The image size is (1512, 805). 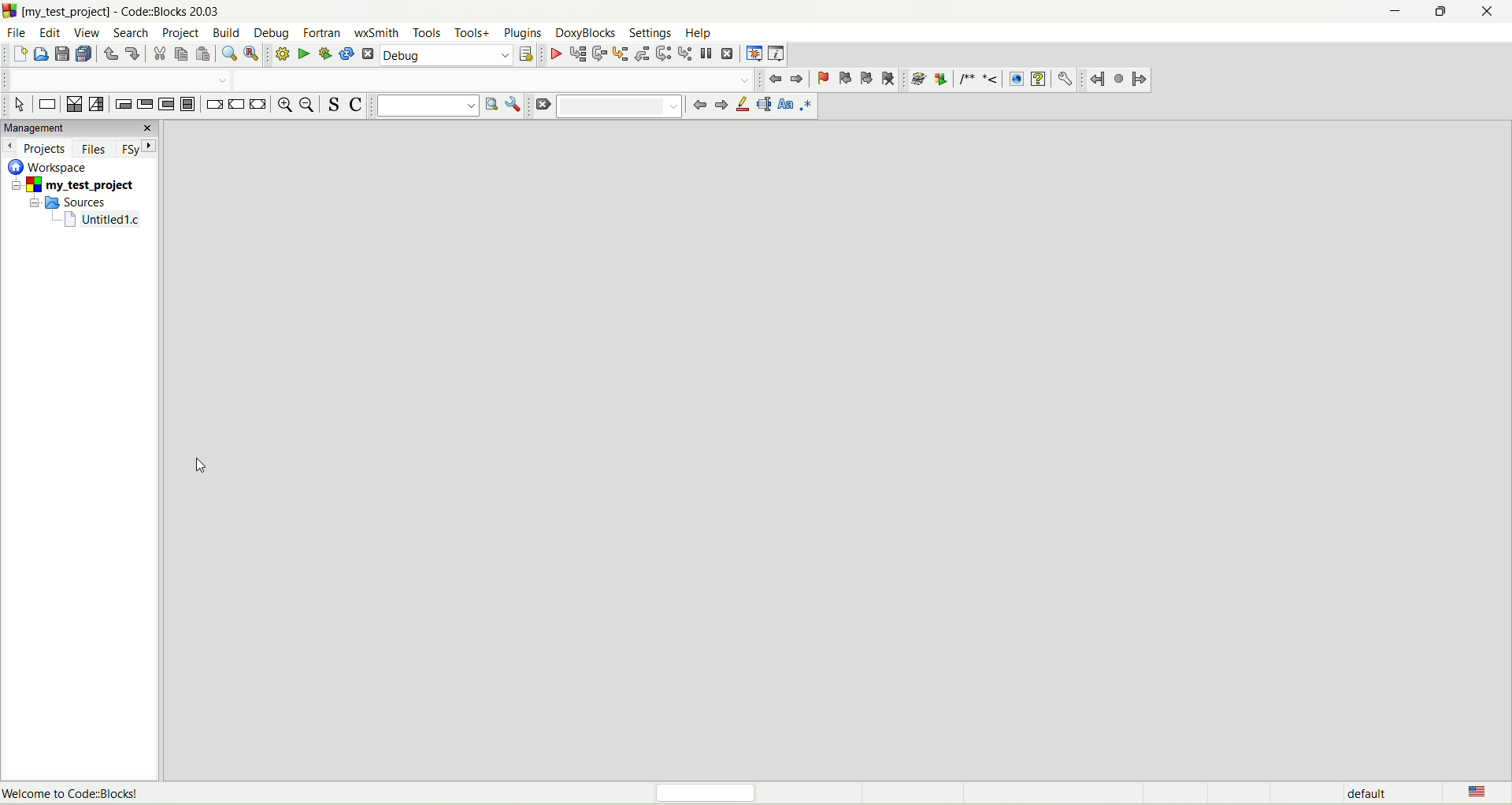 I want to click on tools+, so click(x=474, y=32).